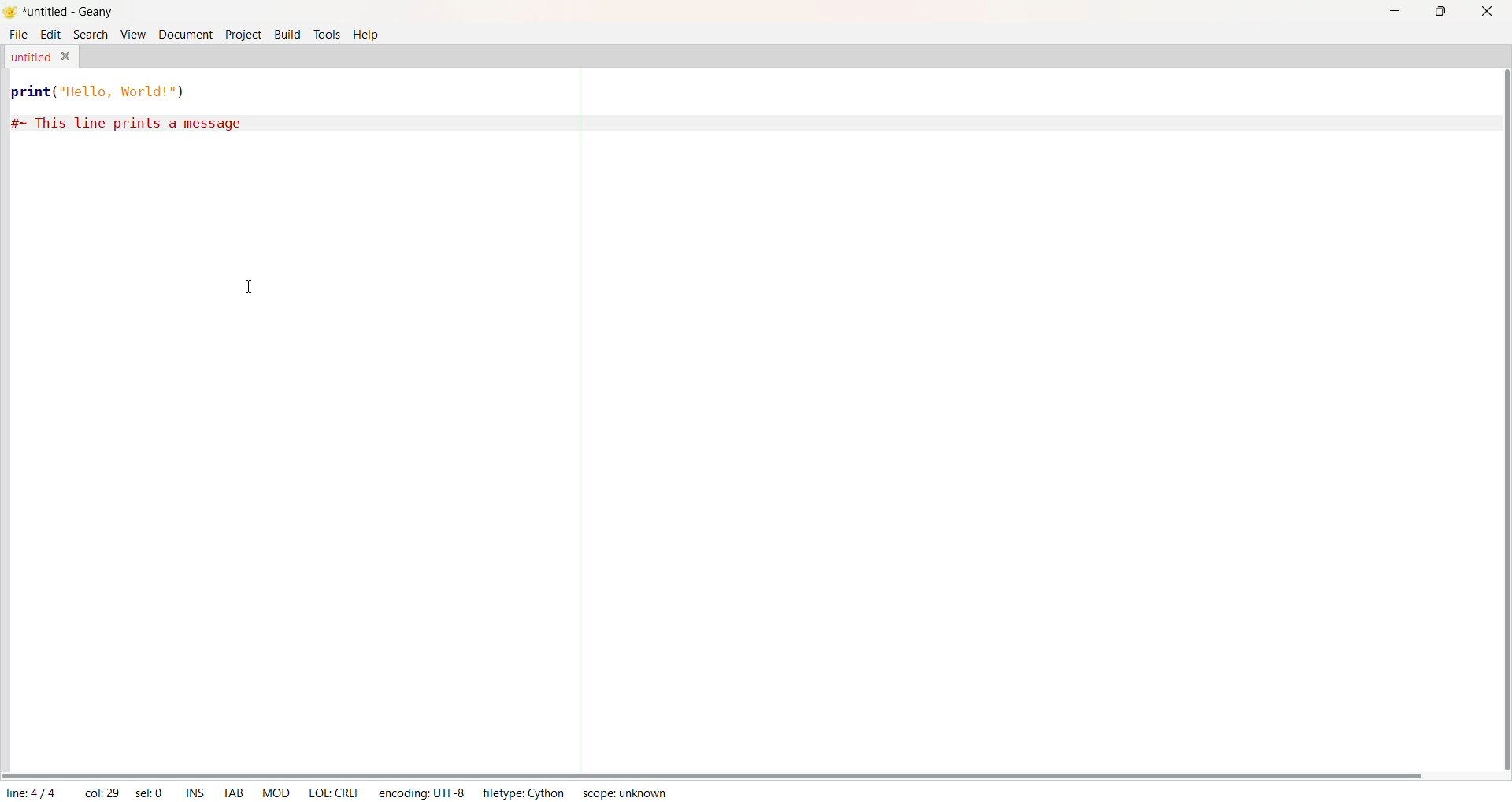 The width and height of the screenshot is (1512, 802). What do you see at coordinates (76, 12) in the screenshot?
I see `*untitled - geany` at bounding box center [76, 12].